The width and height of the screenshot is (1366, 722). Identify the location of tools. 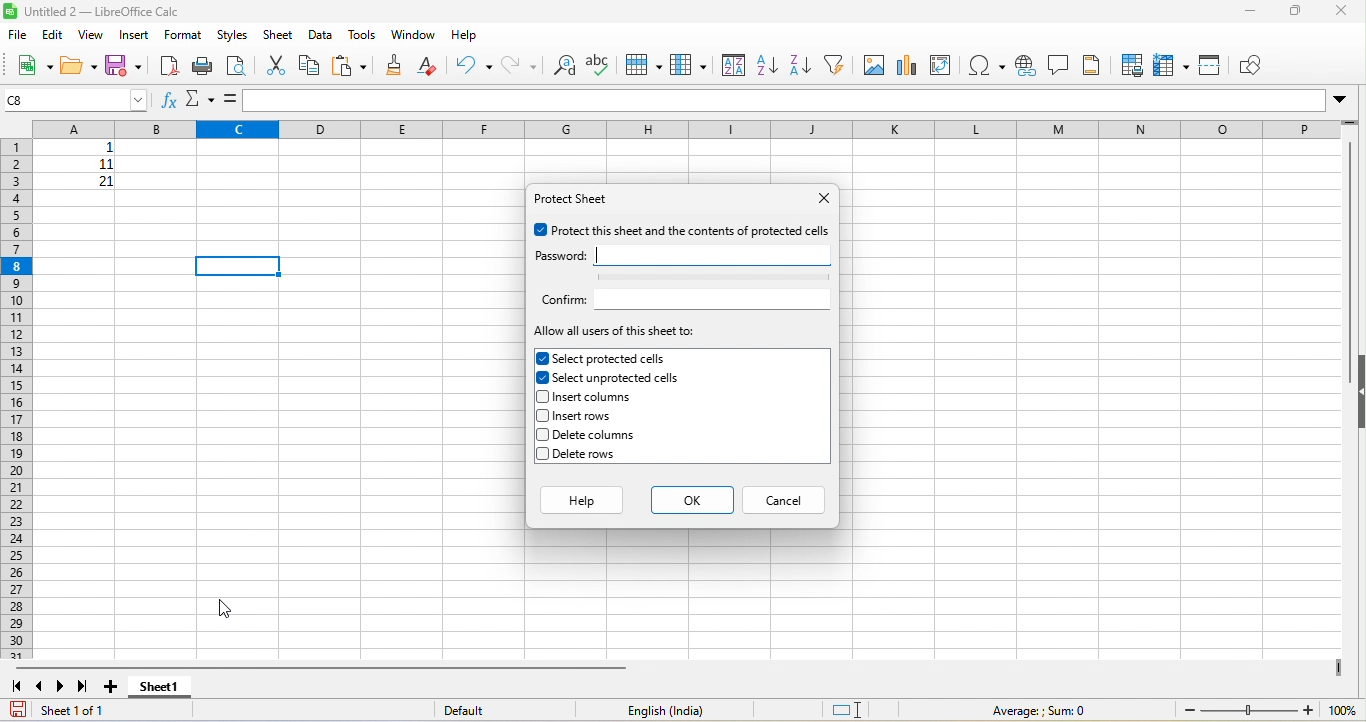
(360, 34).